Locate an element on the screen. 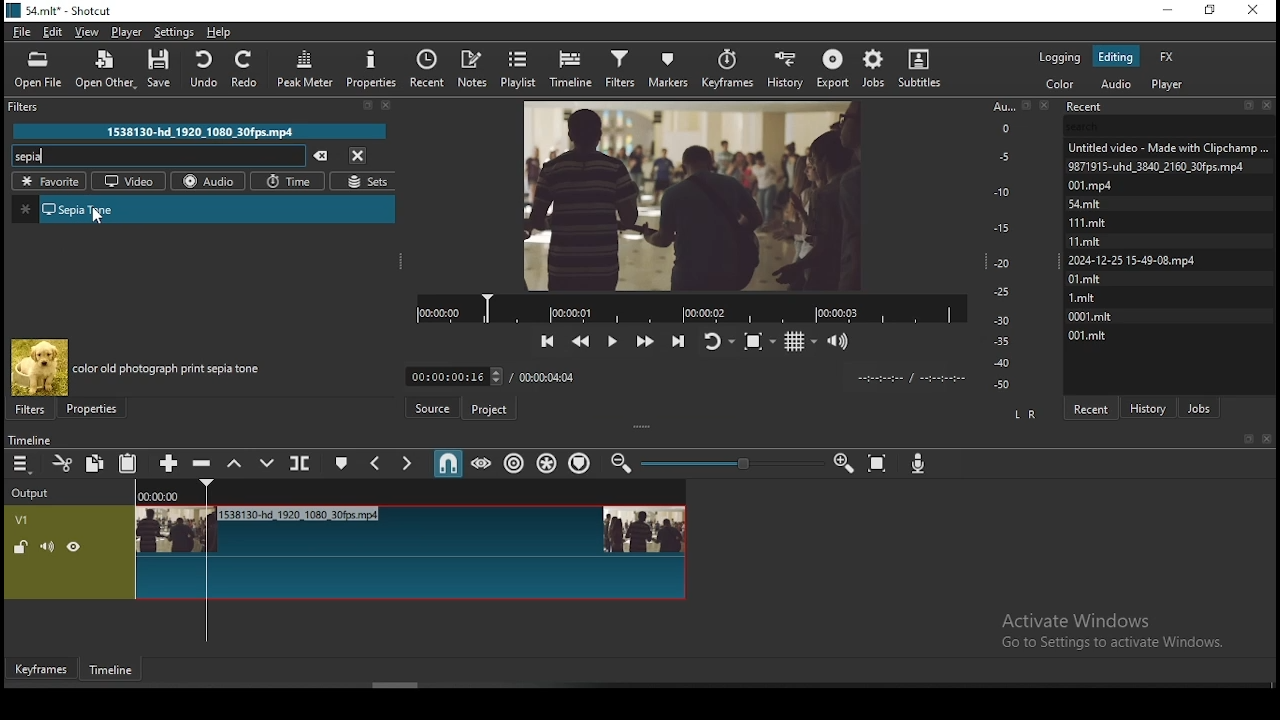  player is located at coordinates (1167, 85).